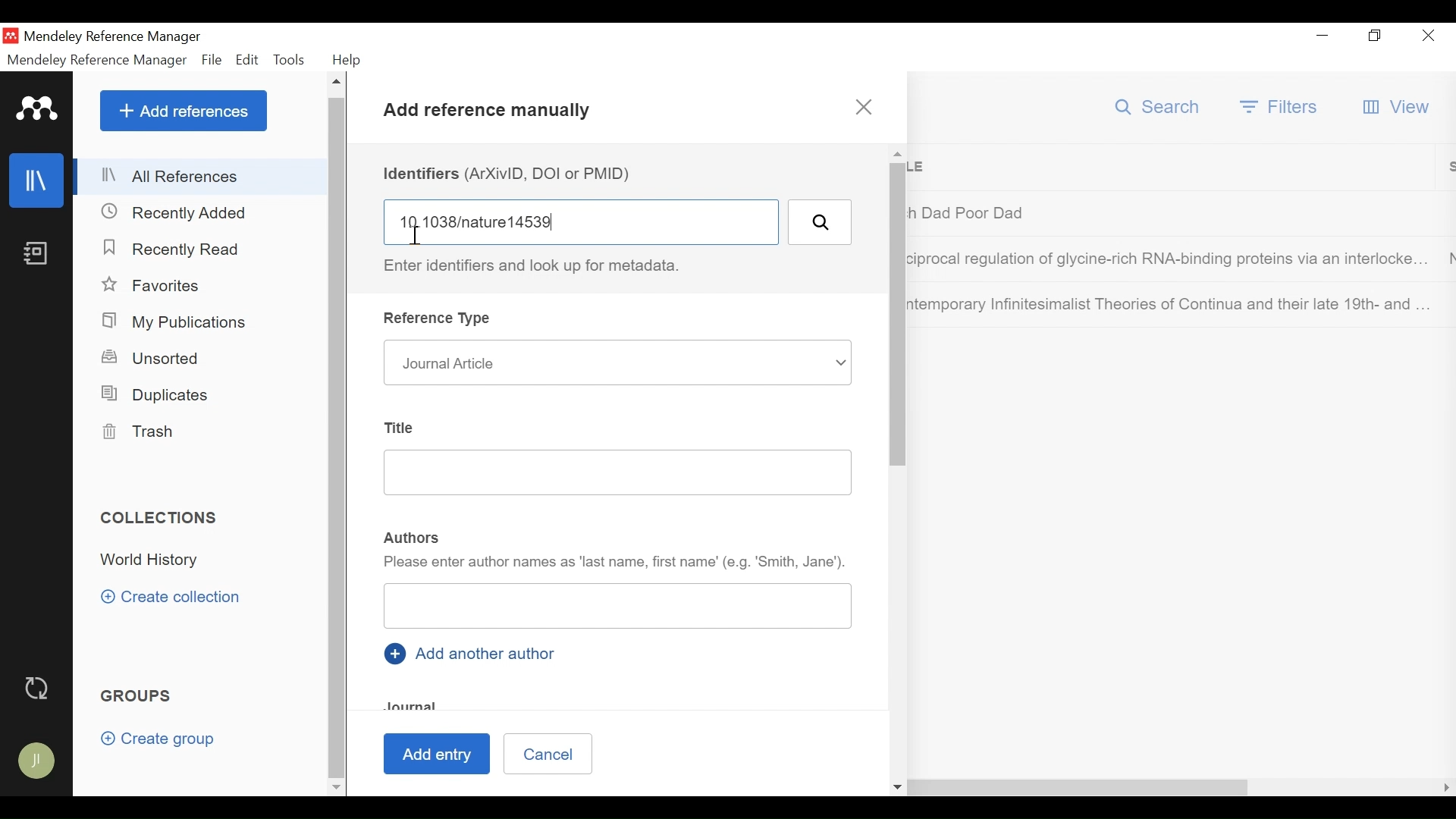 The width and height of the screenshot is (1456, 819). Describe the element at coordinates (171, 598) in the screenshot. I see `Create Collection` at that location.